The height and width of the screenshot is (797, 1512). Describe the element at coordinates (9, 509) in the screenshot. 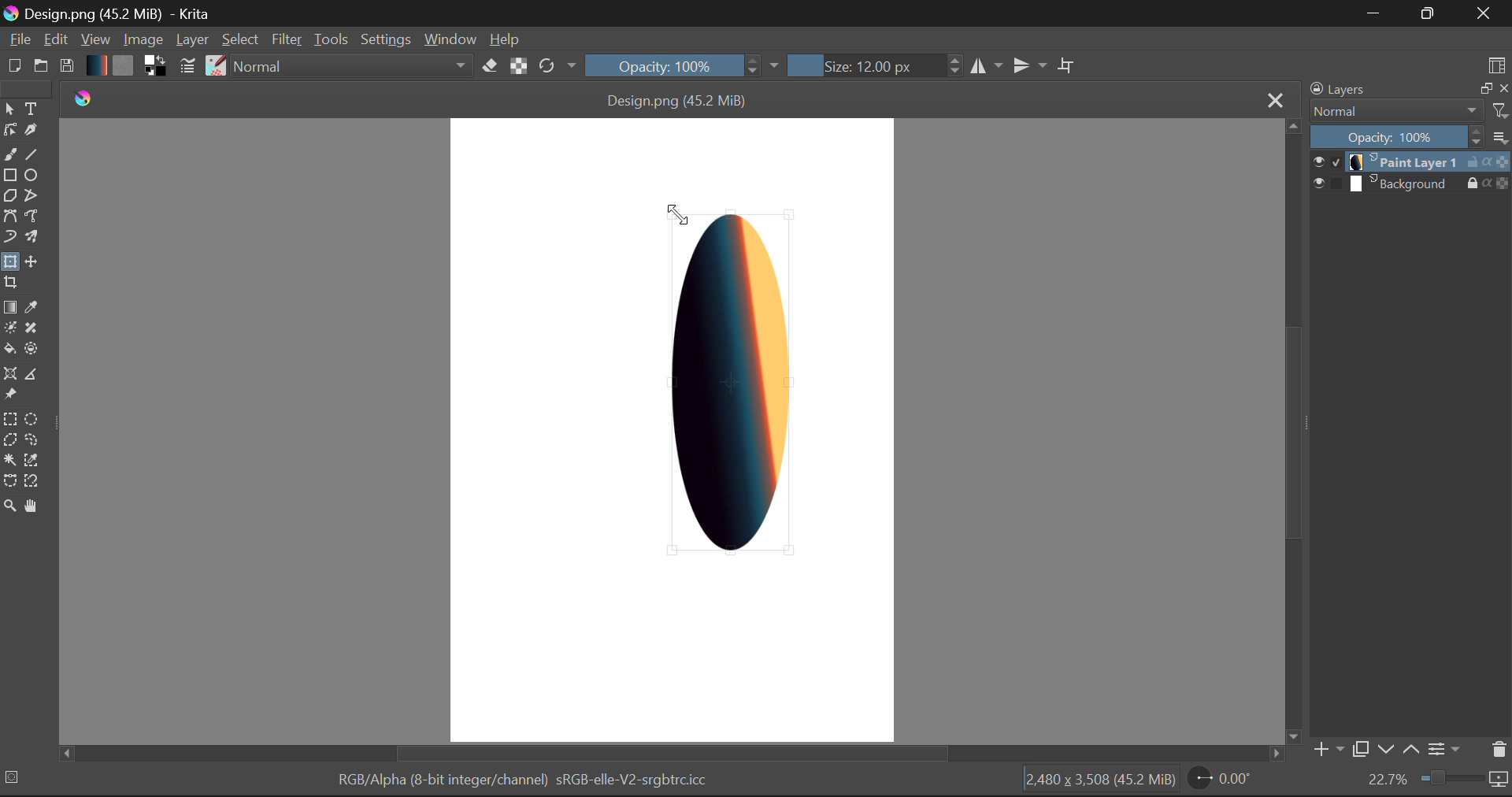

I see `Zoom` at that location.